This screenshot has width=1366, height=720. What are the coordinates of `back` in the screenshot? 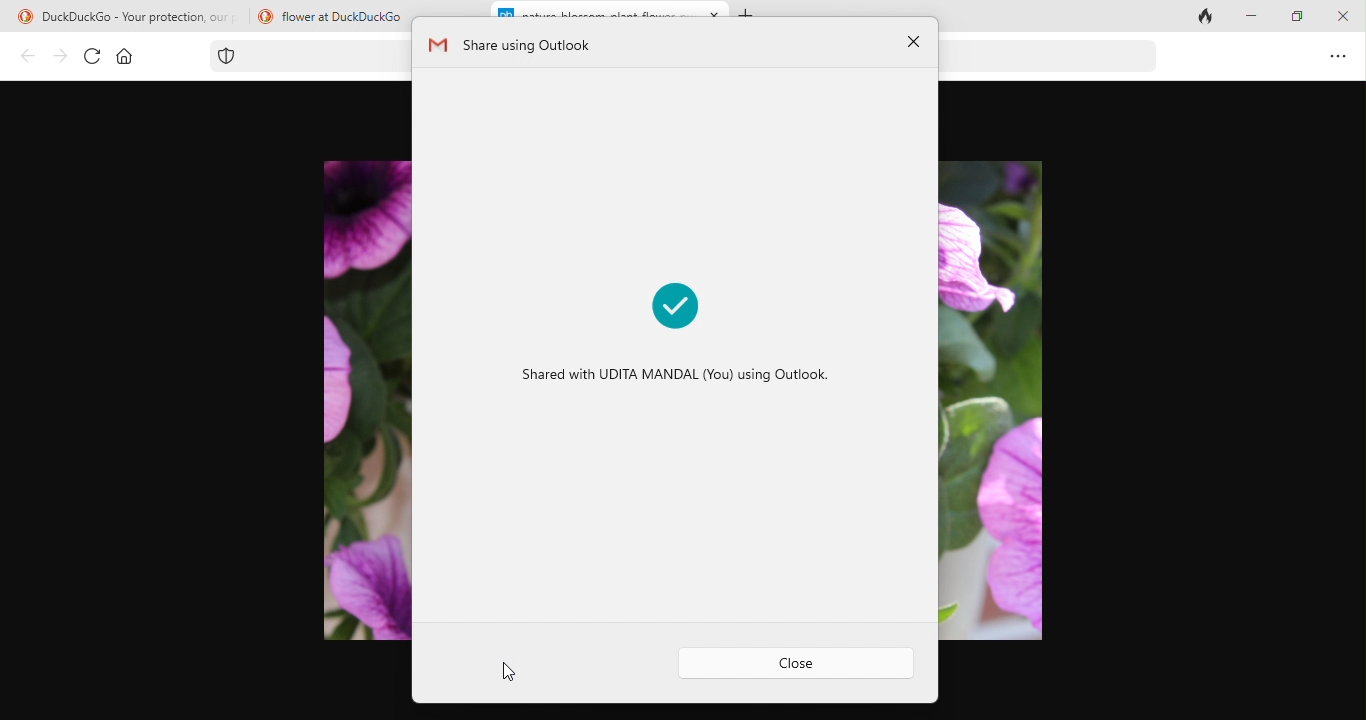 It's located at (23, 58).